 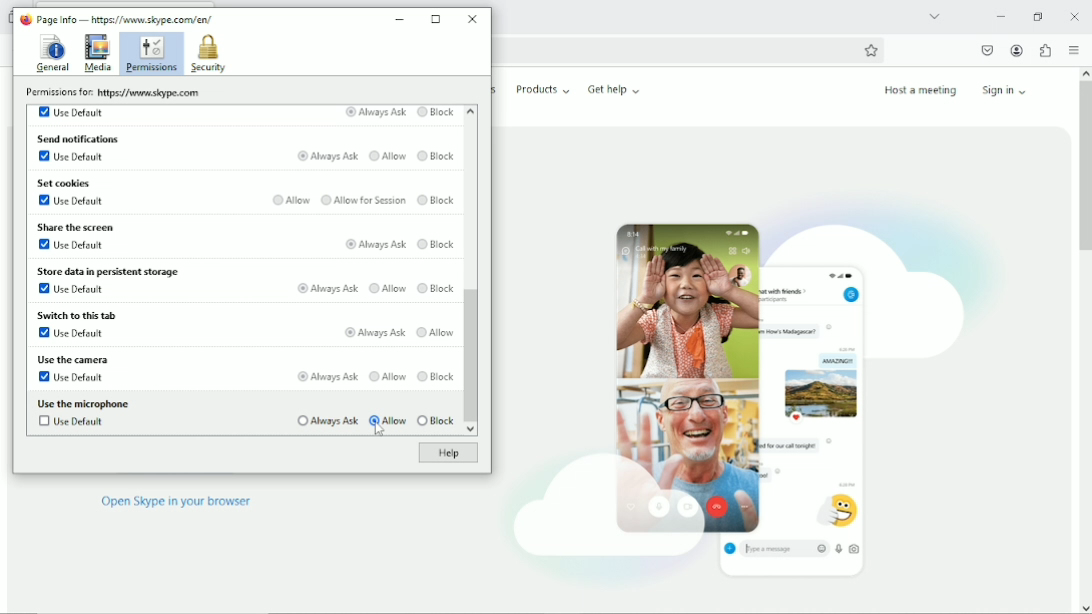 What do you see at coordinates (79, 138) in the screenshot?
I see `Send notifications` at bounding box center [79, 138].